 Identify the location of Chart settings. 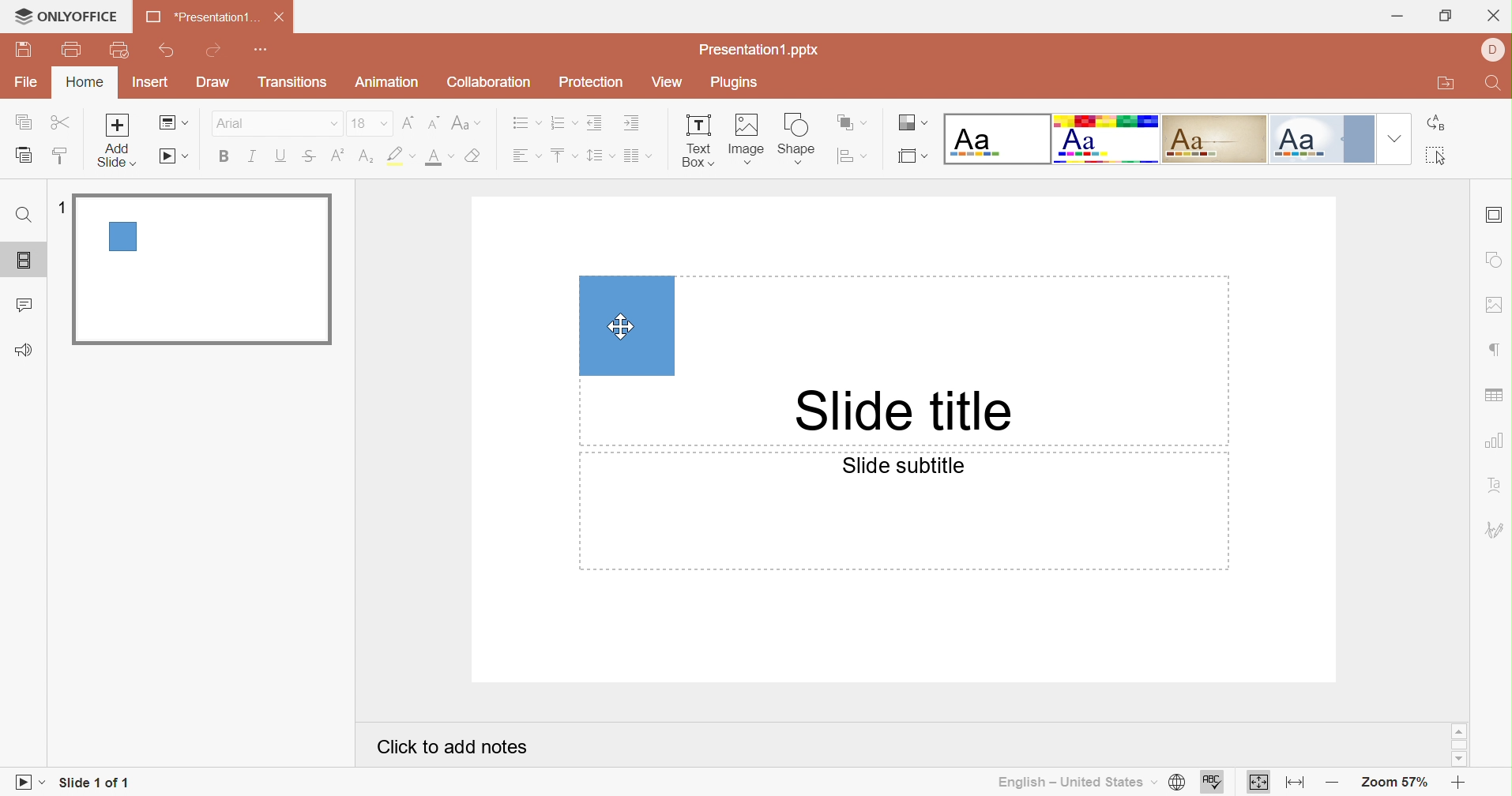
(1495, 441).